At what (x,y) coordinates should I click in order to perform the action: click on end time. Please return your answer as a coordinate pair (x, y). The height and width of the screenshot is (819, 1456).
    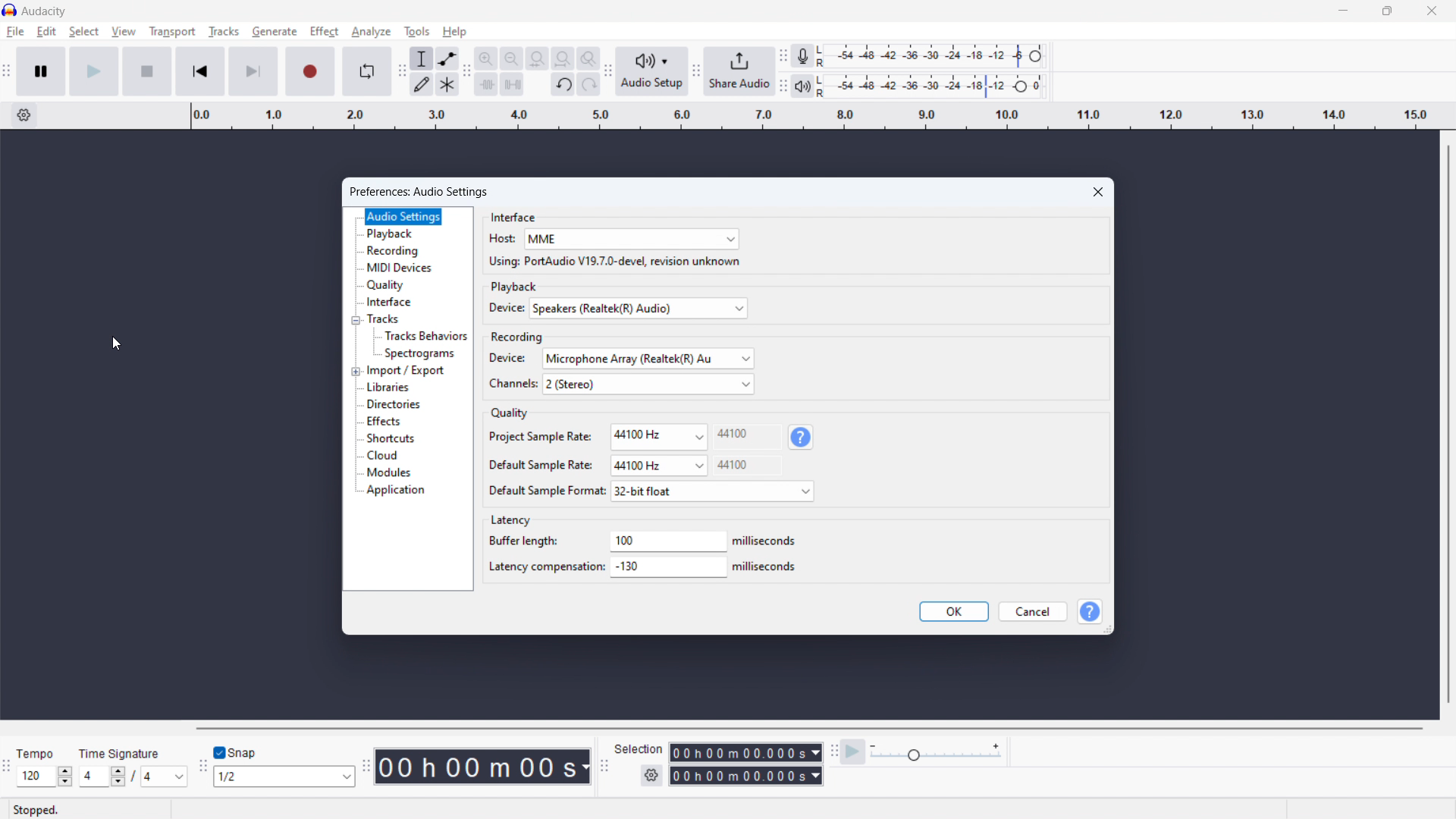
    Looking at the image, I should click on (745, 777).